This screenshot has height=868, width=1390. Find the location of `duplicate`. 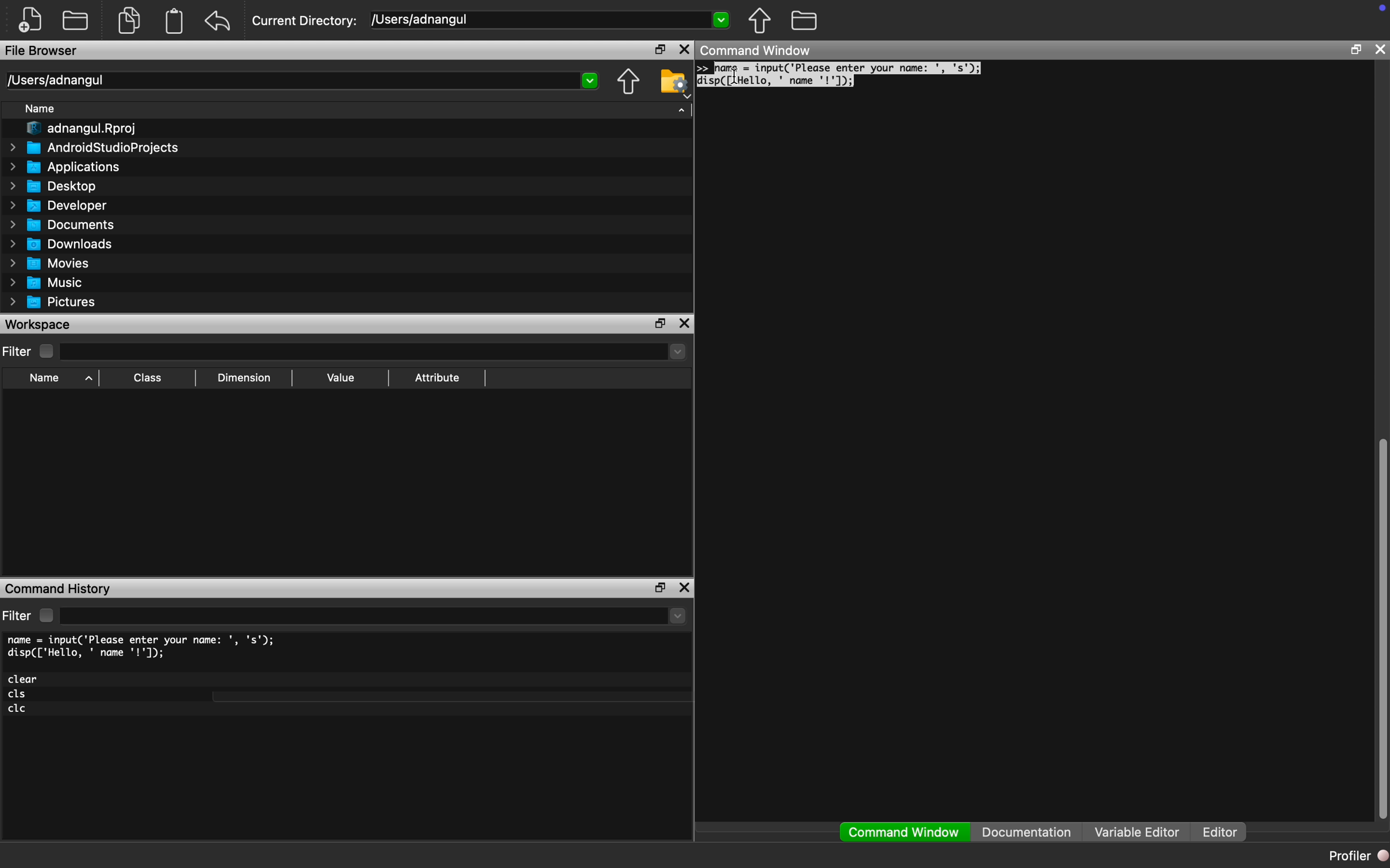

duplicate is located at coordinates (130, 20).